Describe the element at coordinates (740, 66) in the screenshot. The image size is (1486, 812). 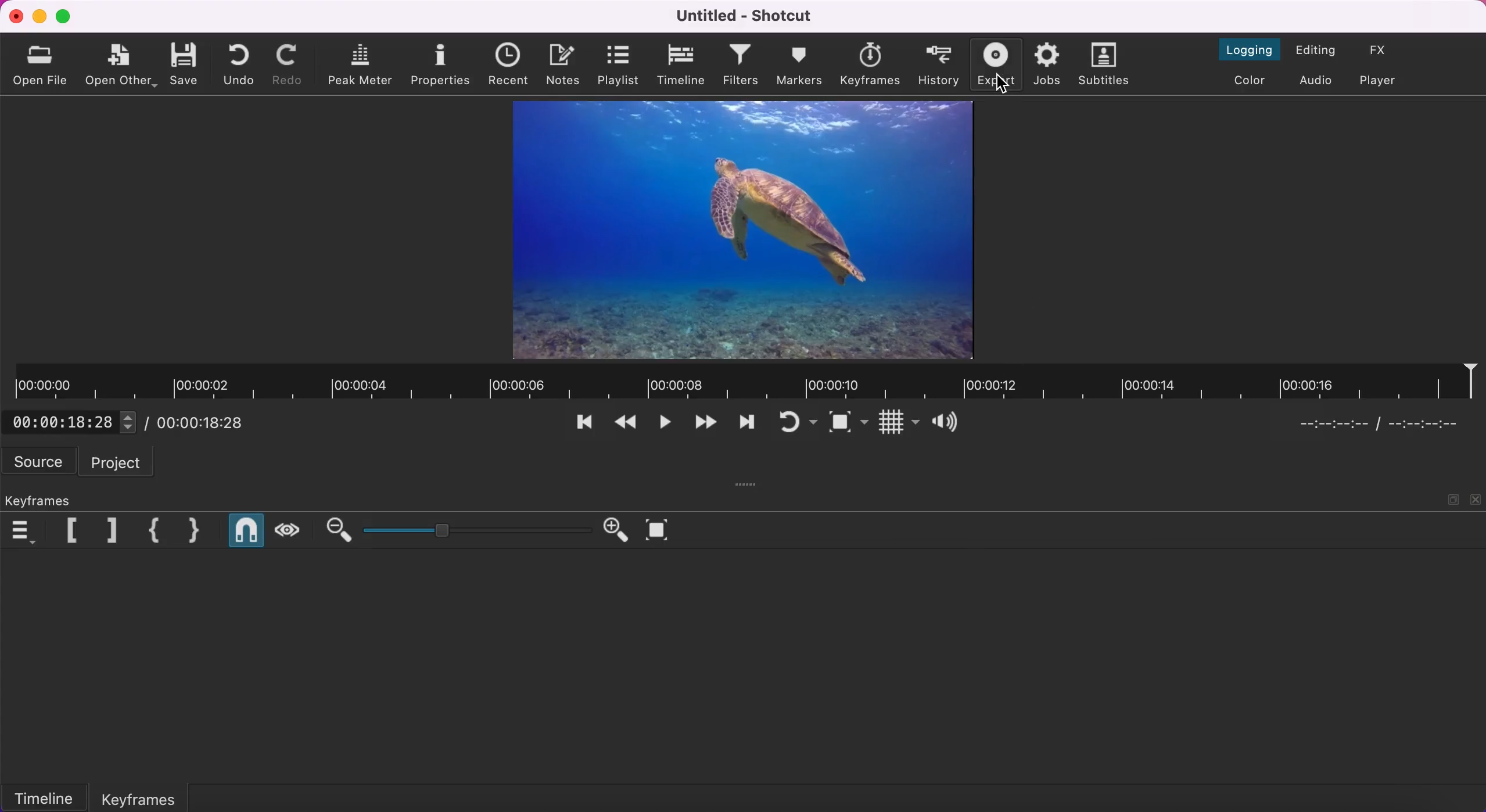
I see `filters` at that location.